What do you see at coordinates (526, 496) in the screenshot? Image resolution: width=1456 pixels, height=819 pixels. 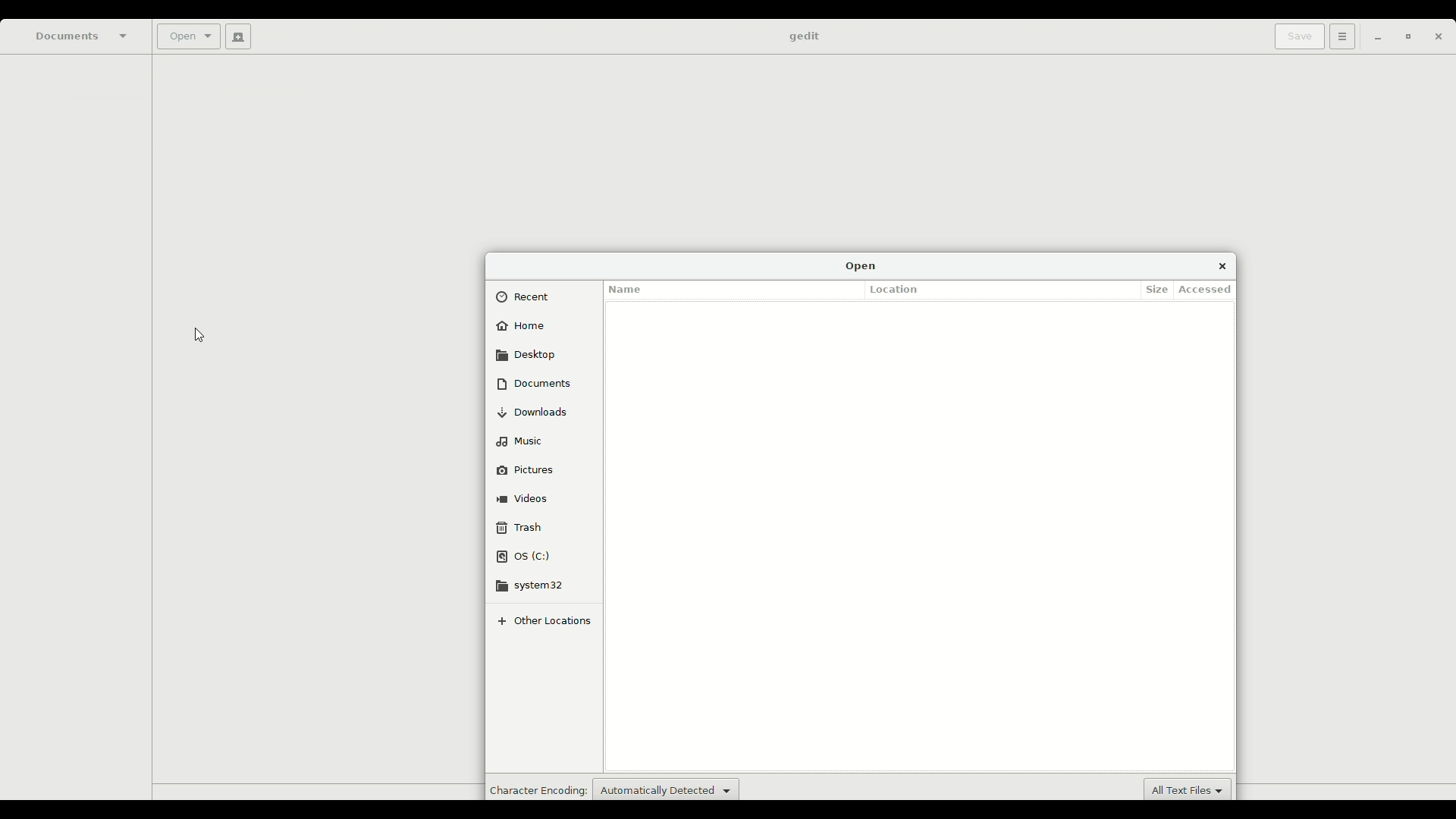 I see `Videos` at bounding box center [526, 496].